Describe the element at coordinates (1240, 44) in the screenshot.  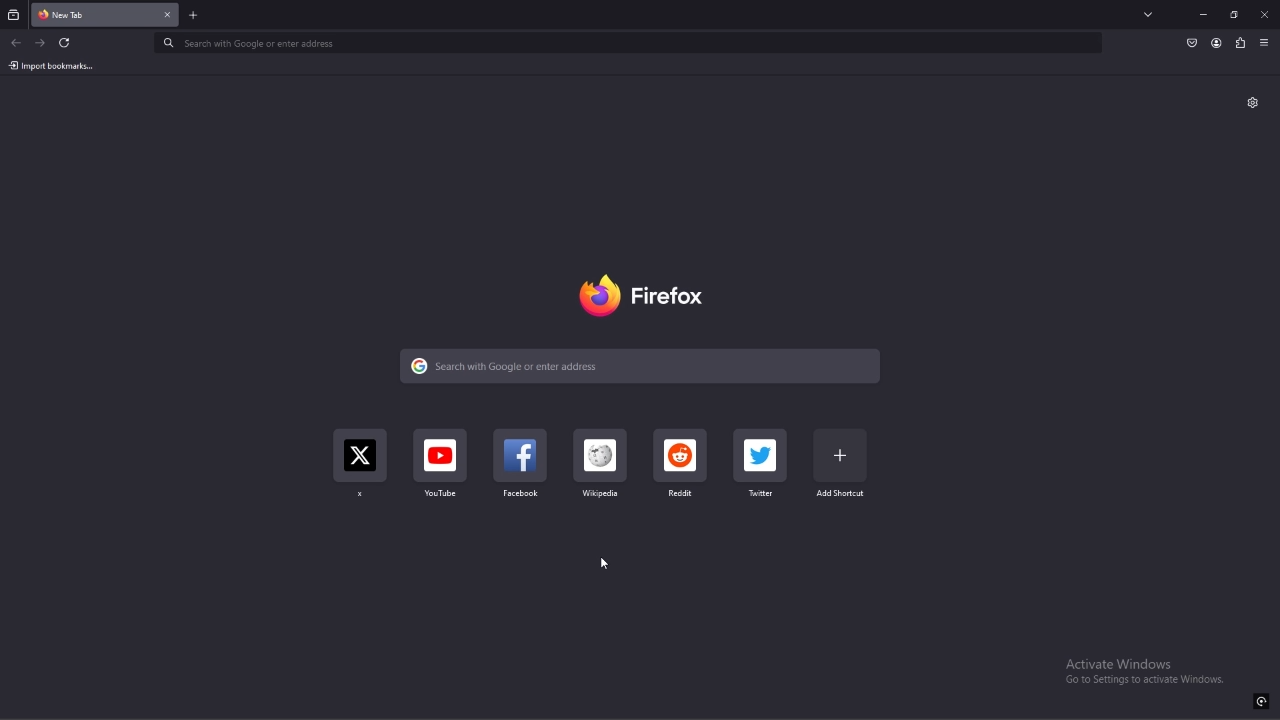
I see `extensions` at that location.